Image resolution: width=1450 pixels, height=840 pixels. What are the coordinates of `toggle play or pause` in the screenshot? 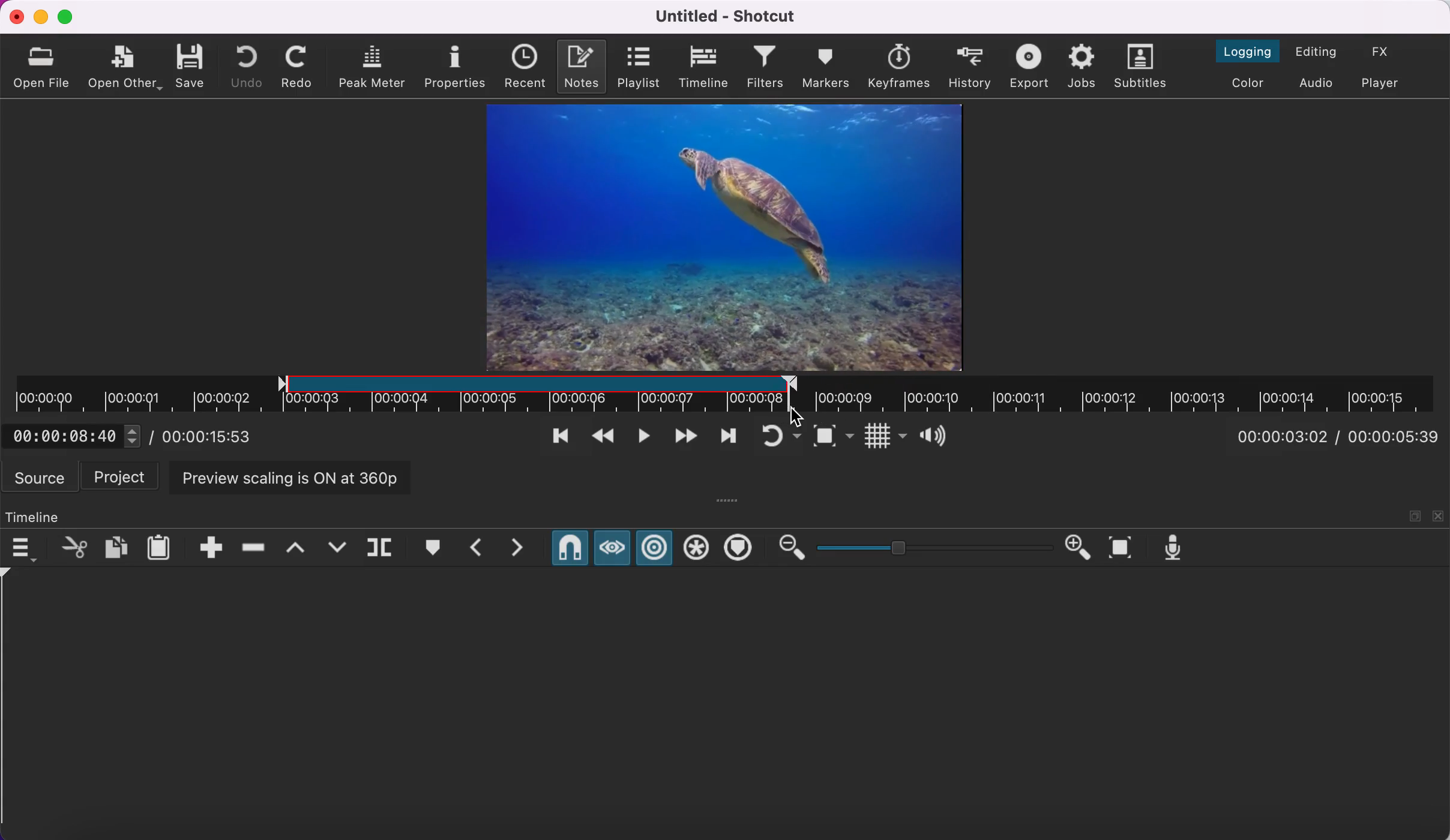 It's located at (640, 439).